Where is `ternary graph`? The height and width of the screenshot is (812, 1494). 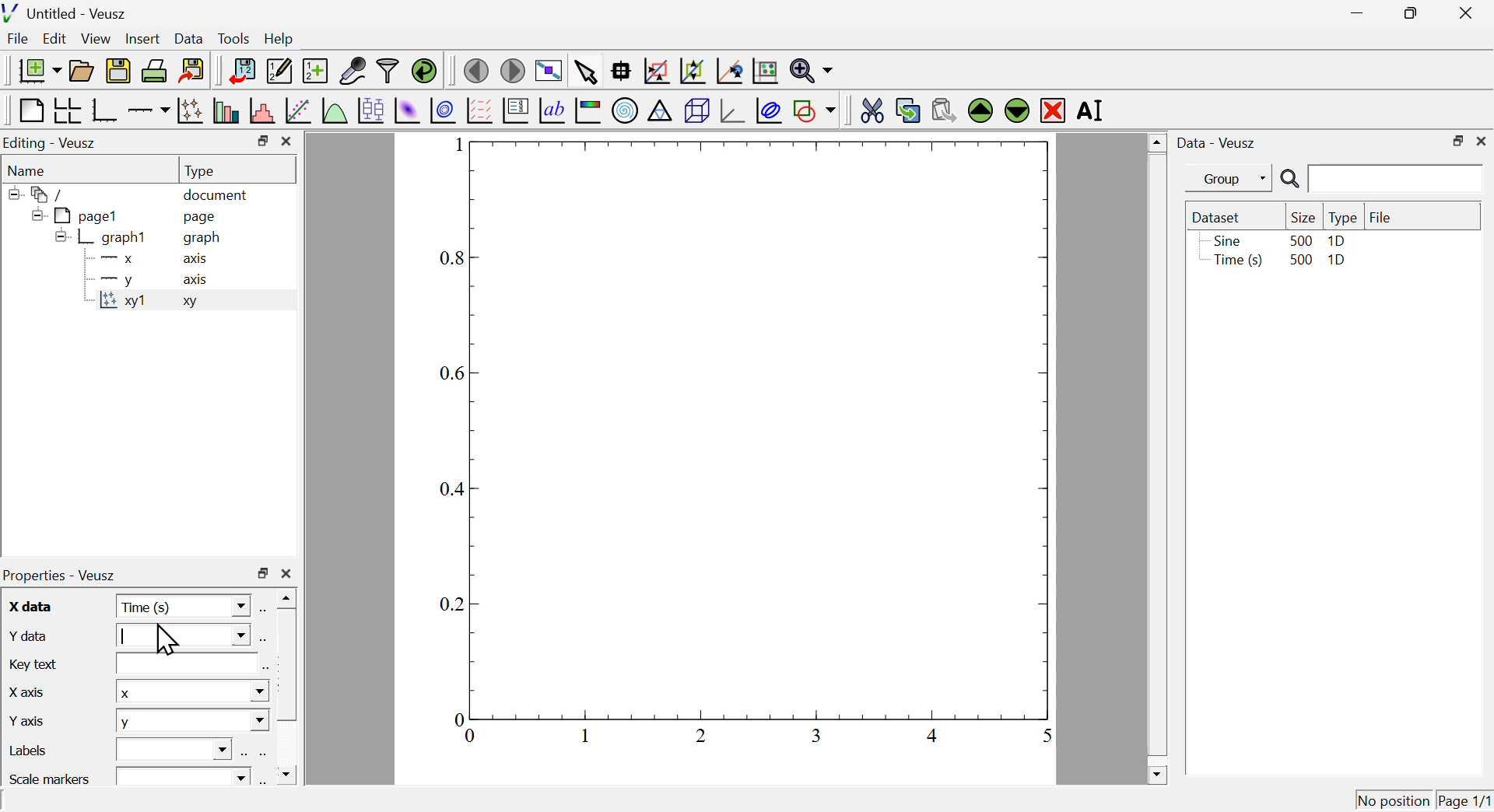 ternary graph is located at coordinates (661, 113).